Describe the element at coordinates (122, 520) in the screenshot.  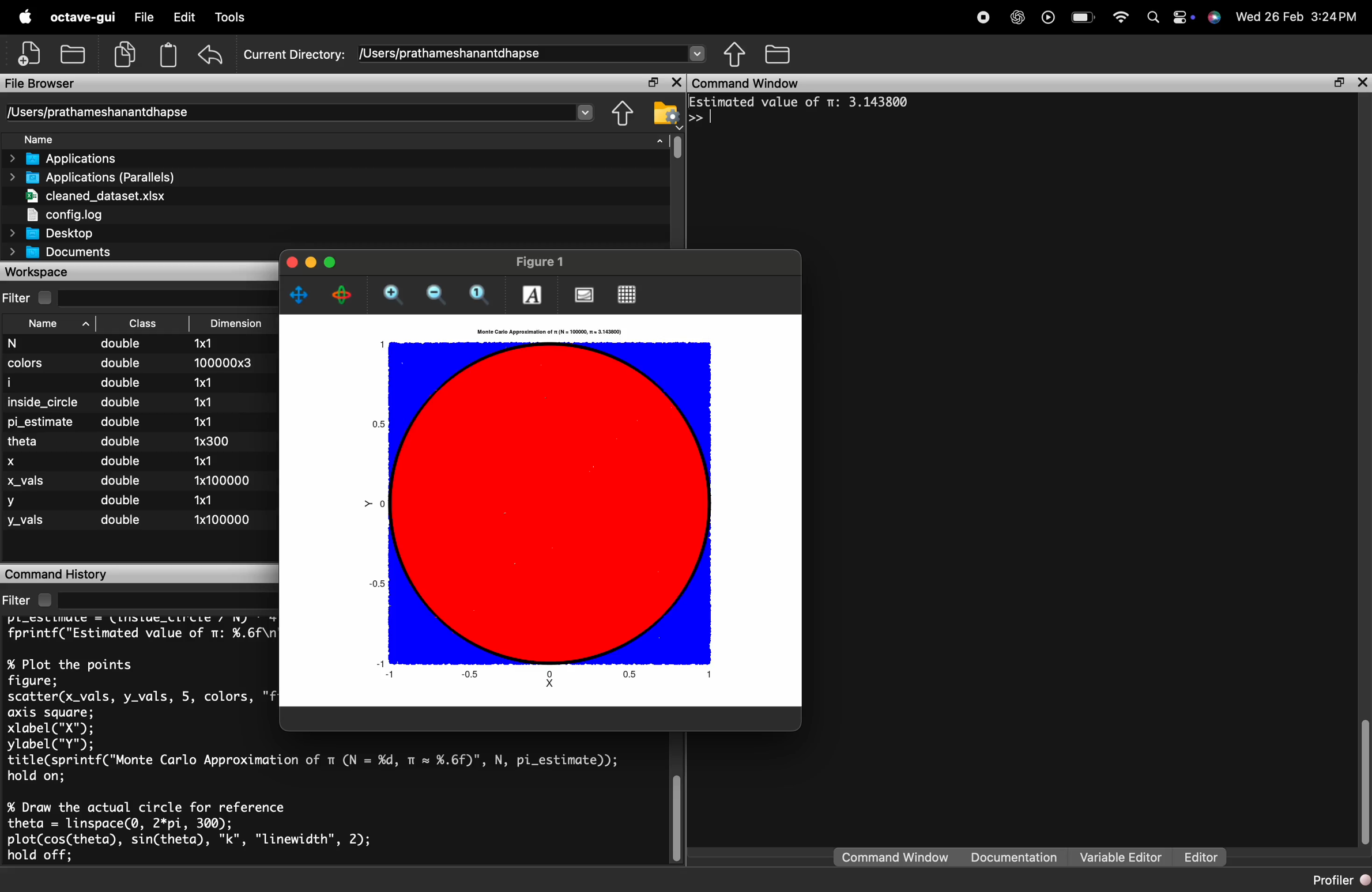
I see `double` at that location.